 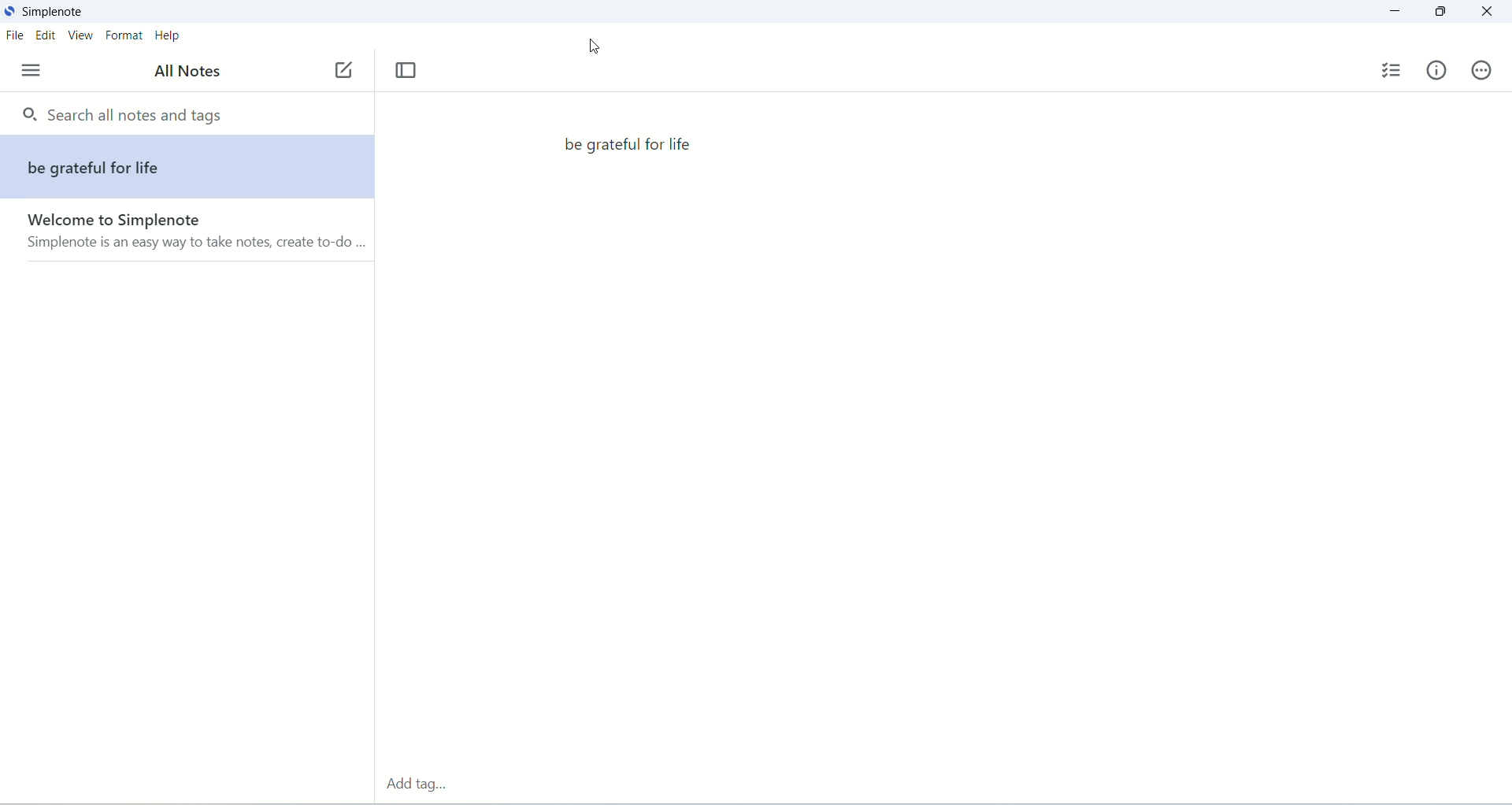 What do you see at coordinates (122, 35) in the screenshot?
I see `format` at bounding box center [122, 35].